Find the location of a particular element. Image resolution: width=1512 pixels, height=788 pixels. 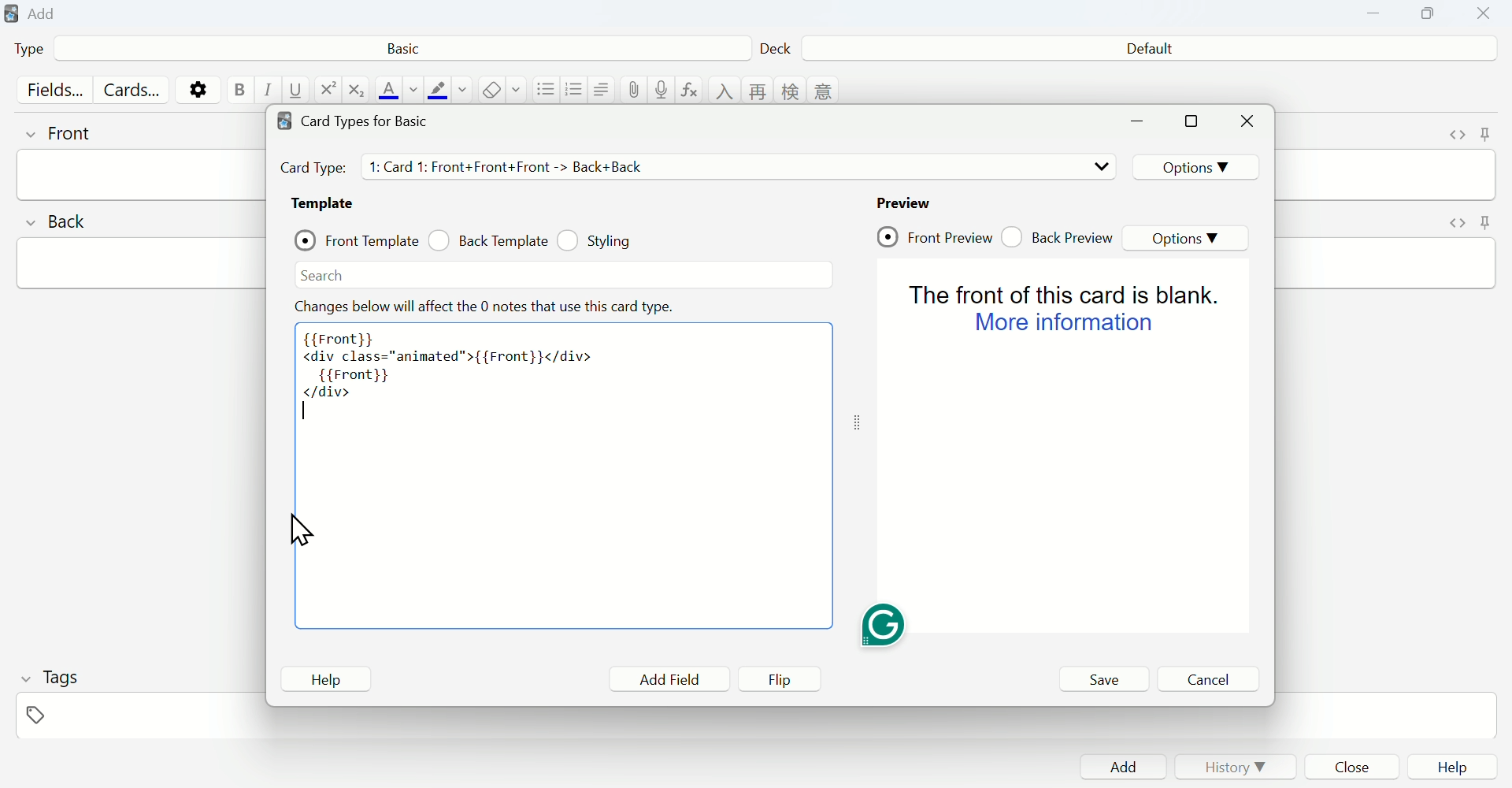

alignment is located at coordinates (602, 90).